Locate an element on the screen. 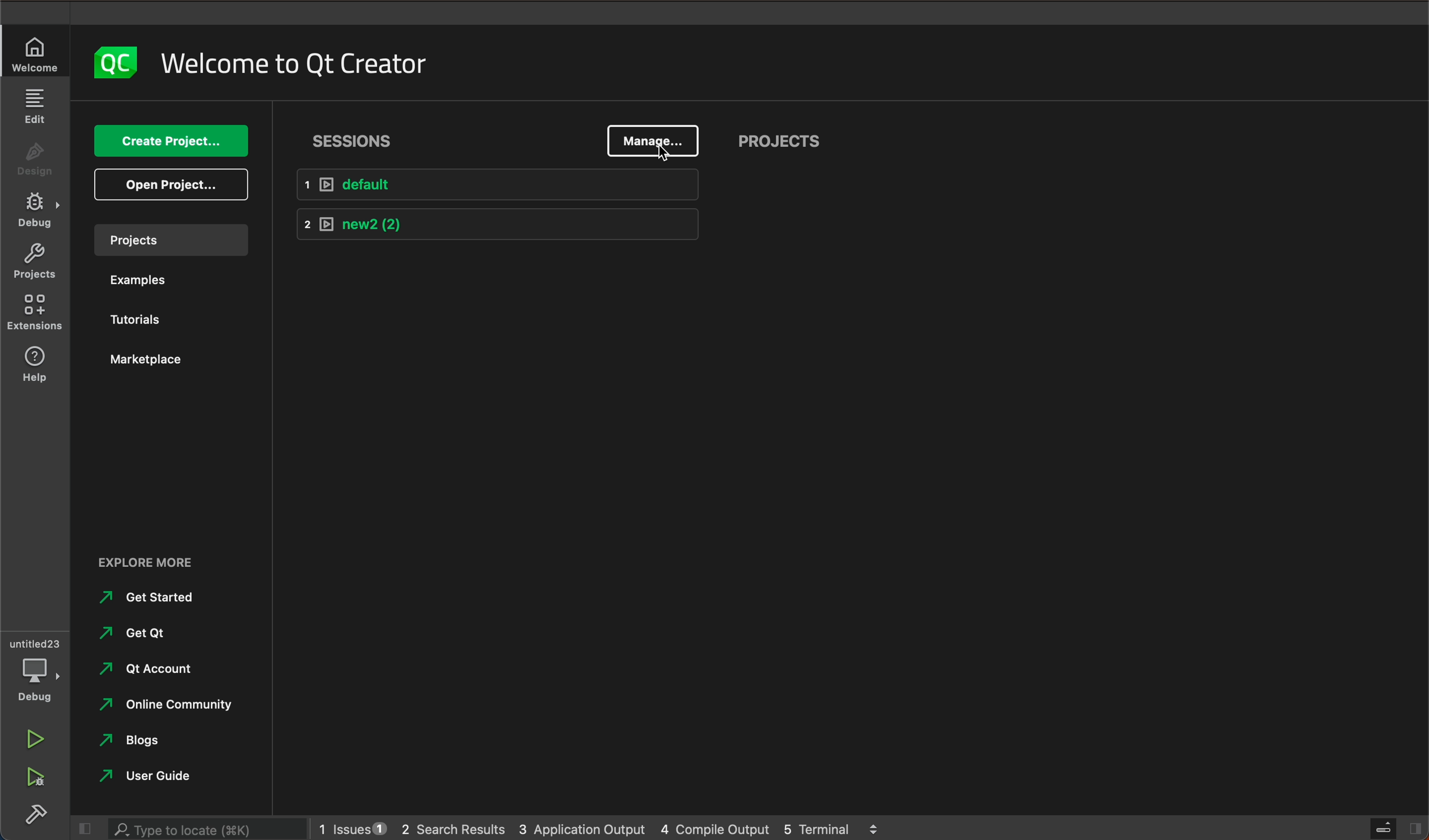 The width and height of the screenshot is (1429, 840). default is located at coordinates (495, 184).